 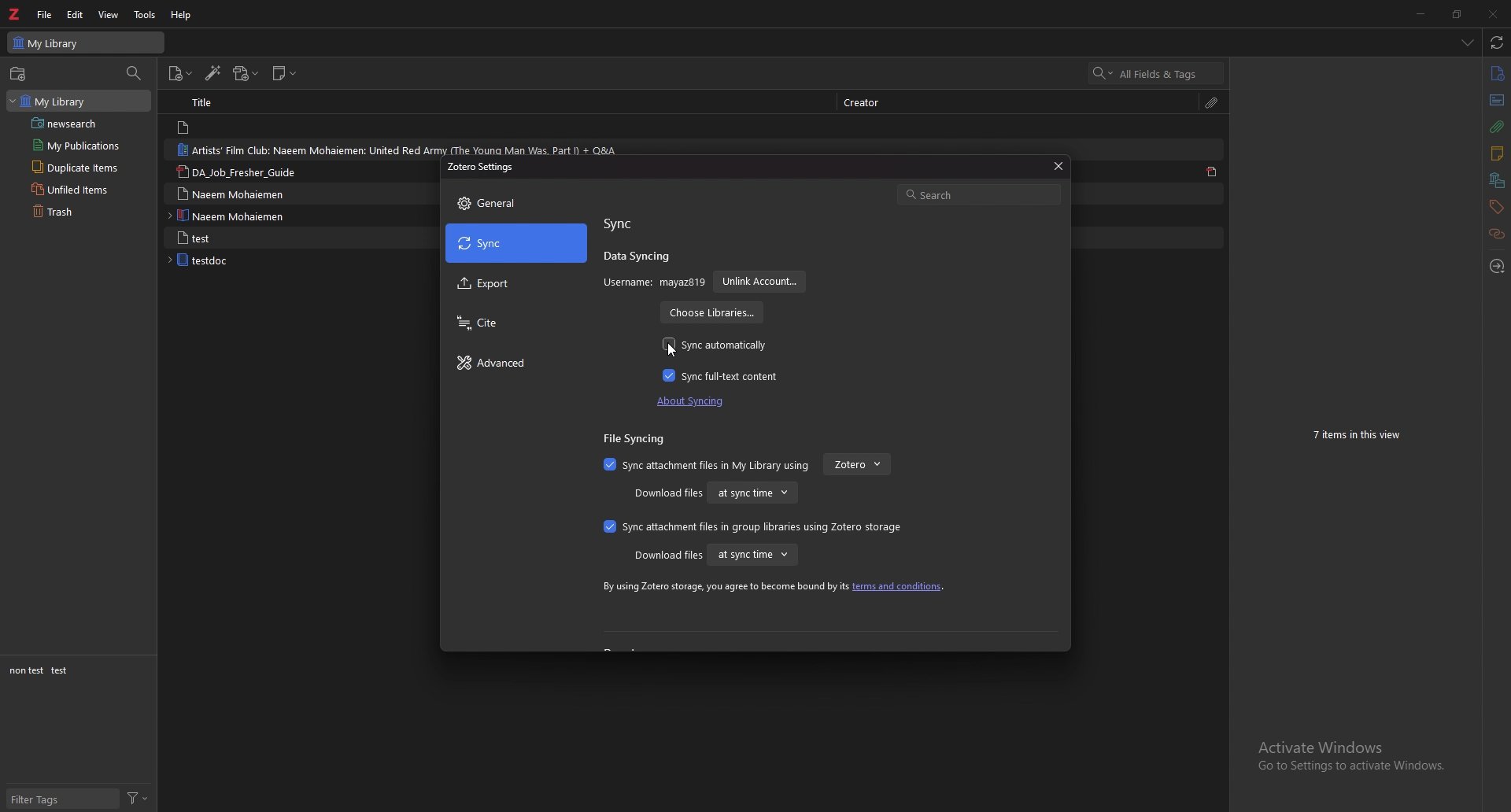 What do you see at coordinates (64, 800) in the screenshot?
I see `filter tags` at bounding box center [64, 800].